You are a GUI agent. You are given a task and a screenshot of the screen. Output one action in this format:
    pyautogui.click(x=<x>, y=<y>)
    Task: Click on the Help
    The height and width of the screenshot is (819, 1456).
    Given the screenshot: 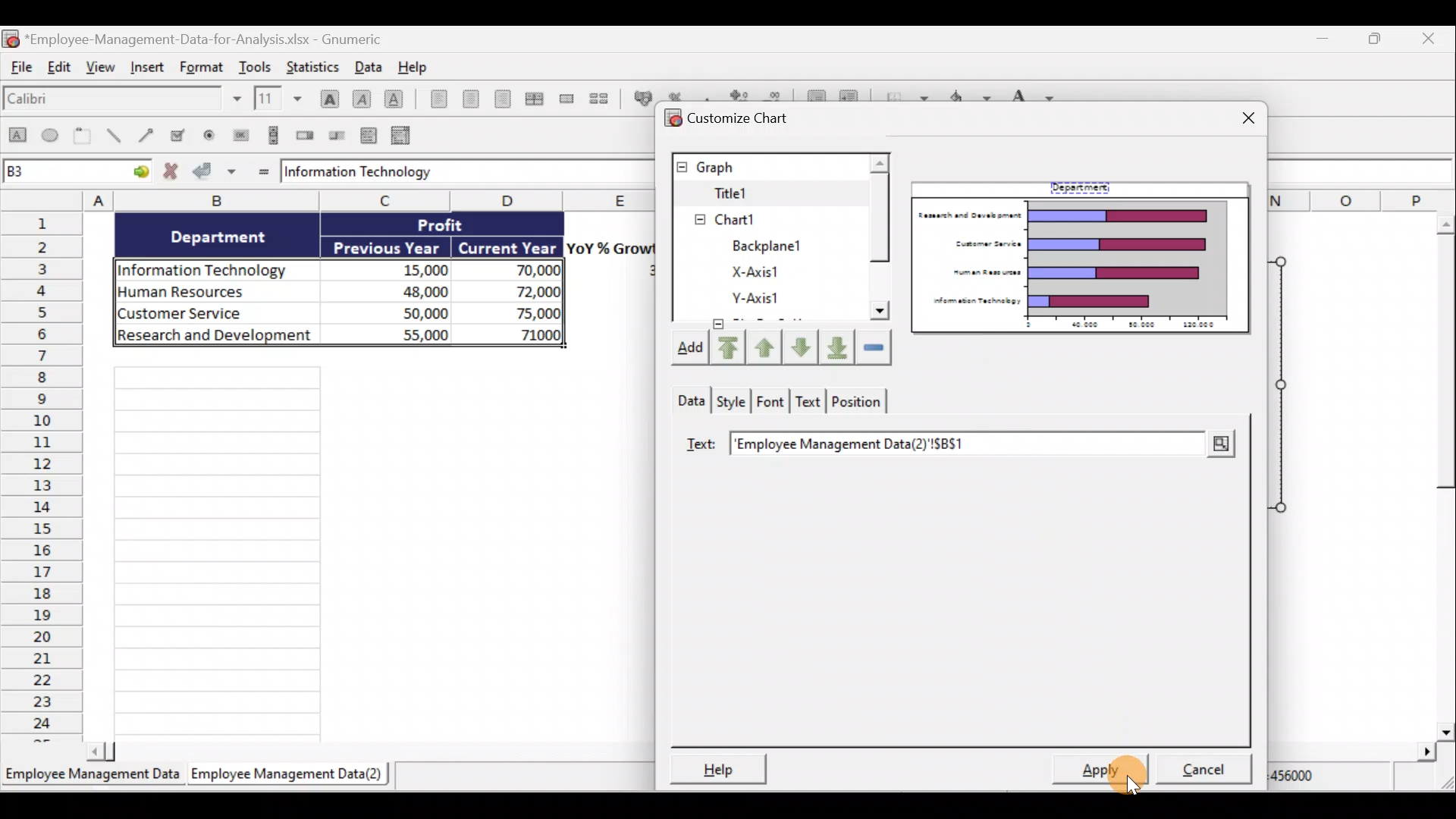 What is the action you would take?
    pyautogui.click(x=714, y=768)
    